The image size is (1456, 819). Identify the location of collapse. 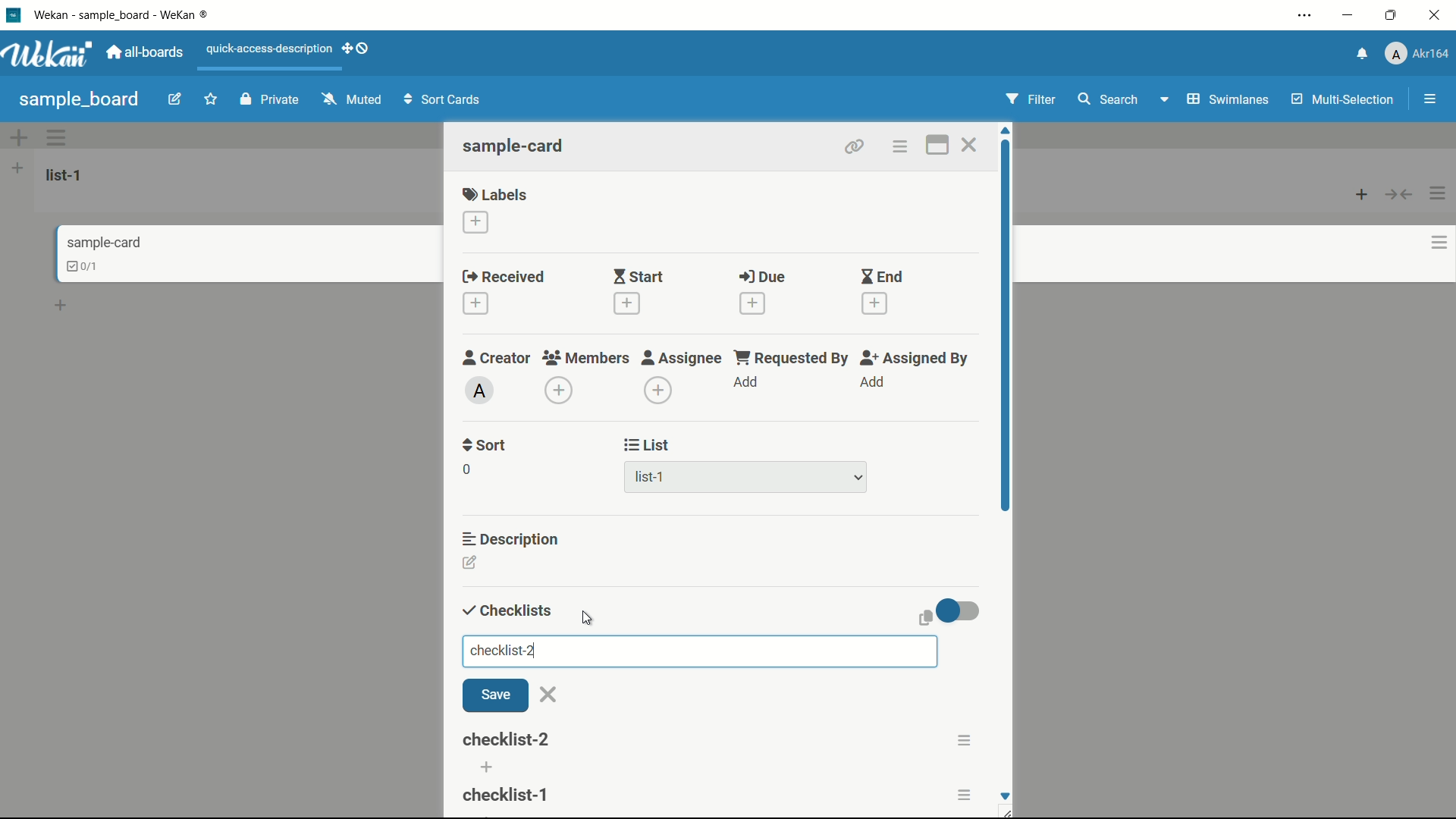
(1400, 194).